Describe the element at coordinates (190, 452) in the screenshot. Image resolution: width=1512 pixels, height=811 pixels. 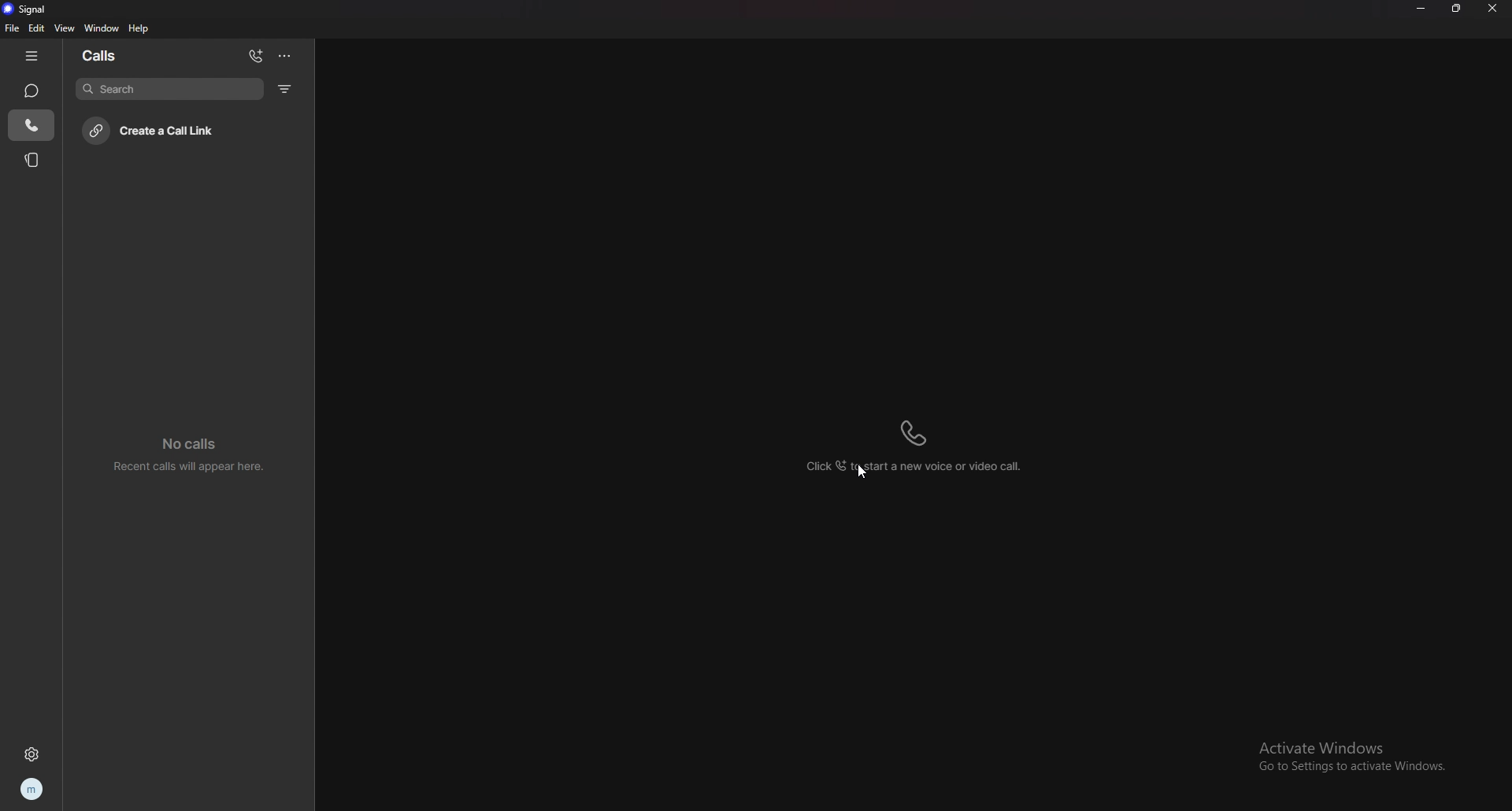
I see `no calls recent calls will appear here` at that location.